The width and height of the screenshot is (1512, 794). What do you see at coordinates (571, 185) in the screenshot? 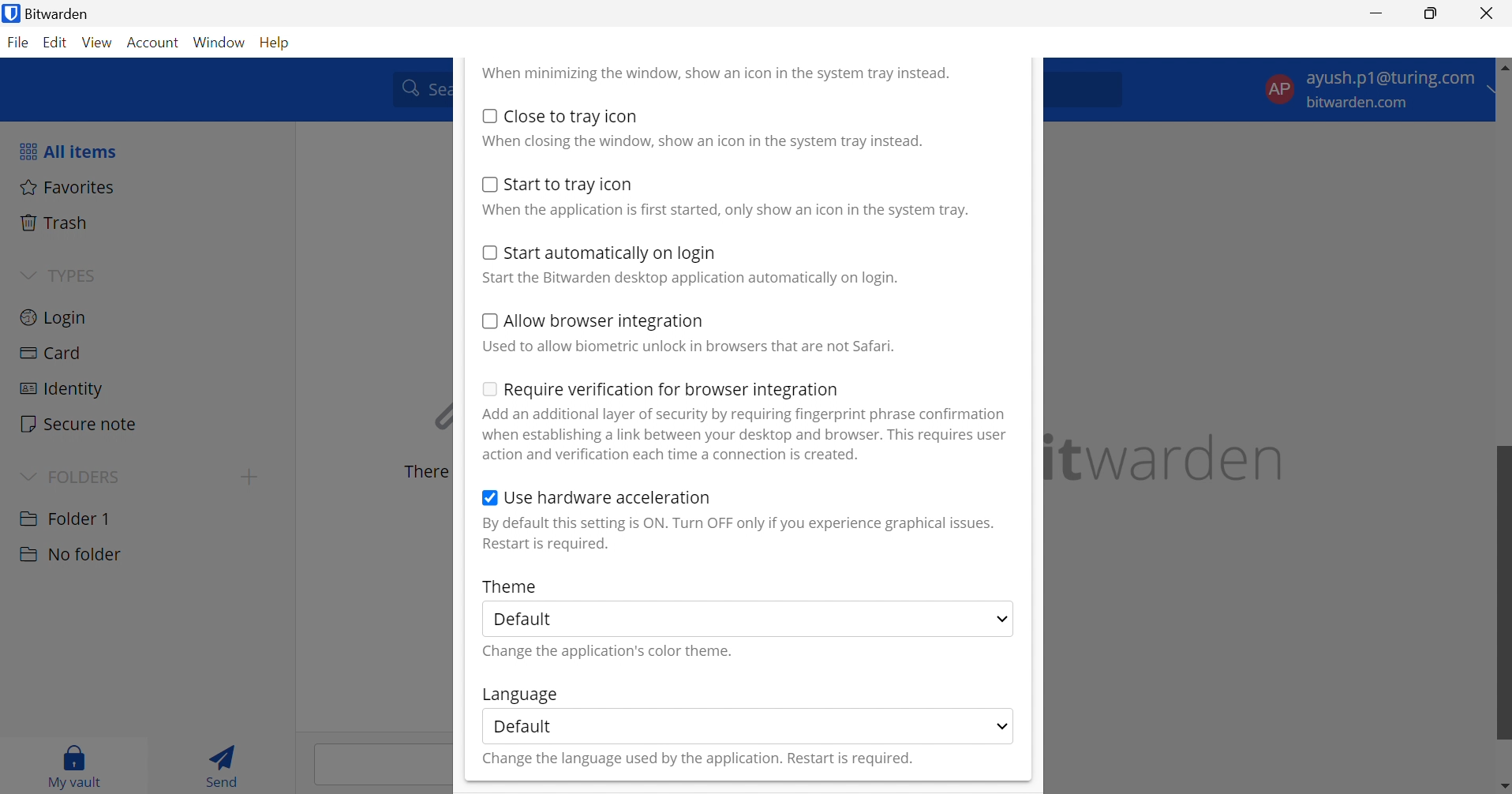
I see `Start to tray icon` at bounding box center [571, 185].